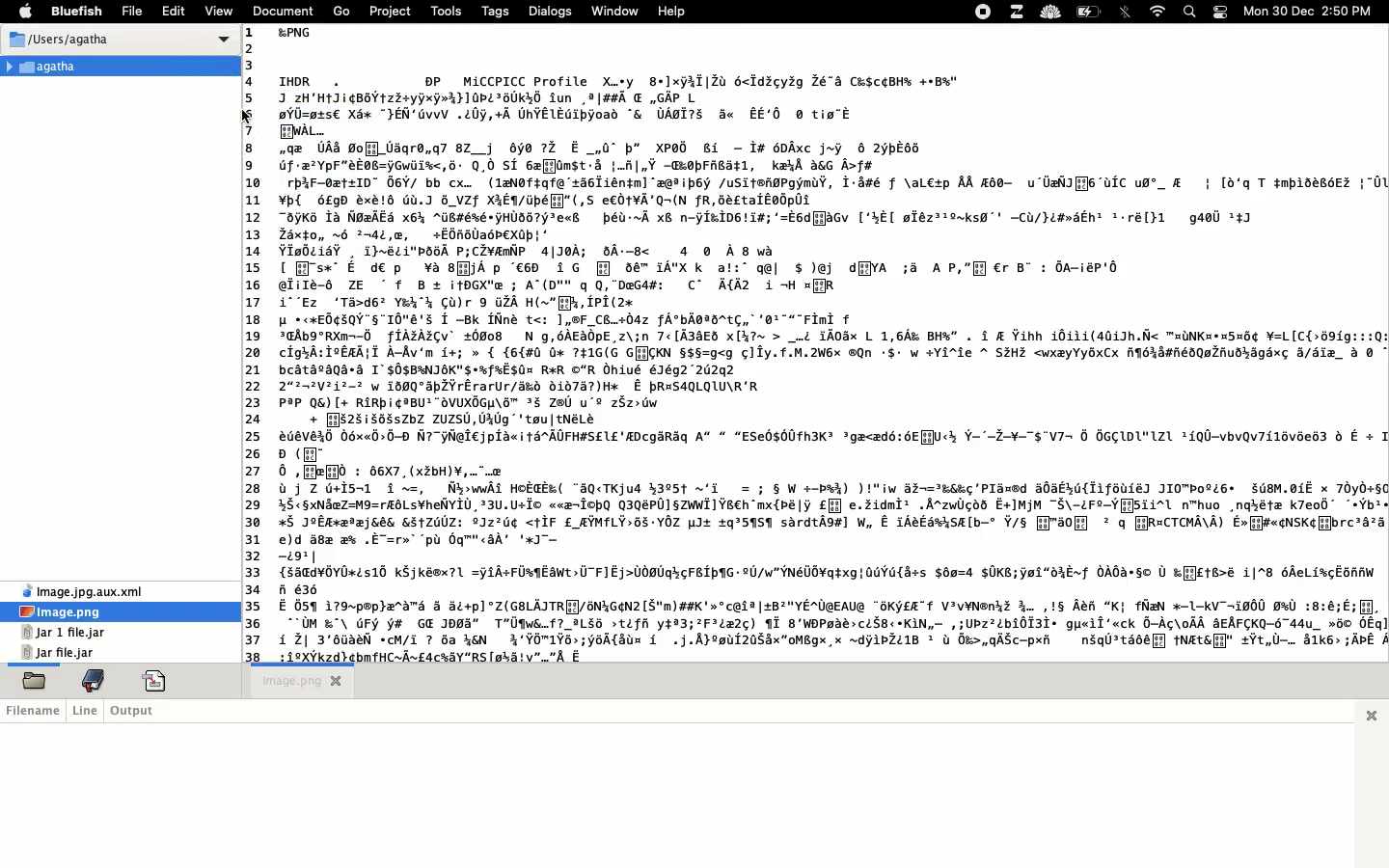 The height and width of the screenshot is (868, 1389). I want to click on bluetooth, so click(1128, 14).